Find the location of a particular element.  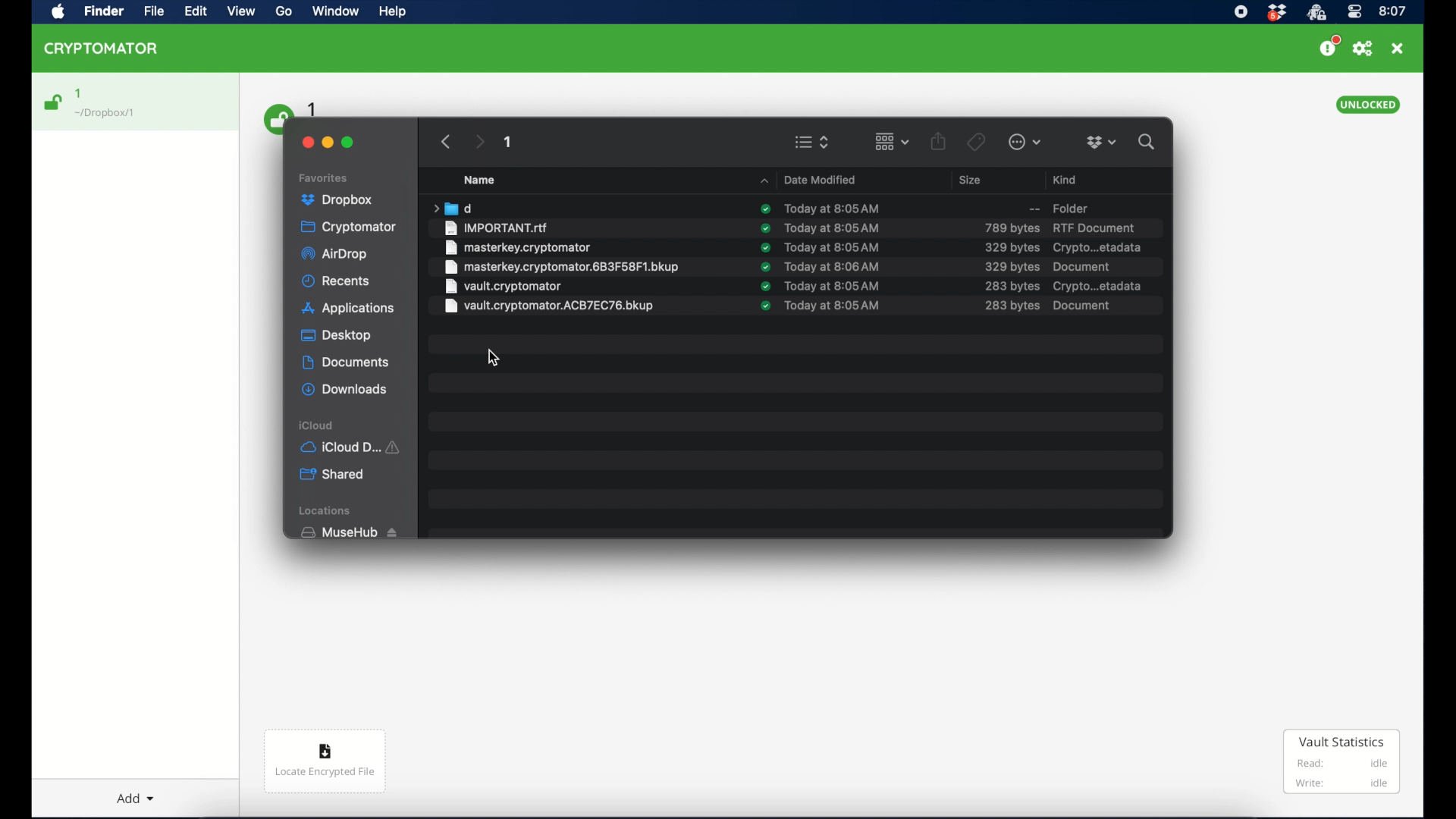

crytptomator is located at coordinates (1316, 13).